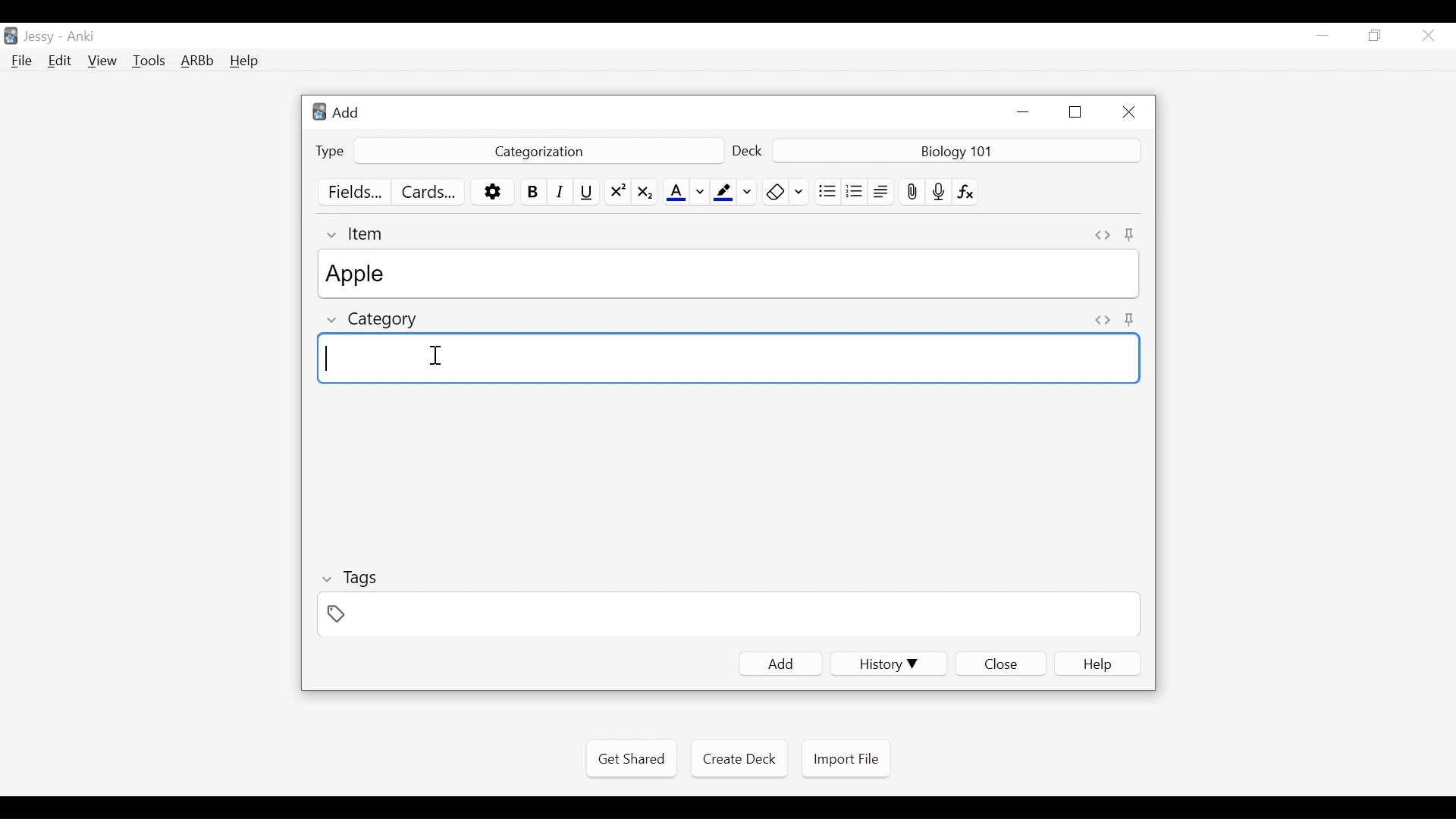 Image resolution: width=1456 pixels, height=819 pixels. Describe the element at coordinates (58, 62) in the screenshot. I see `Edit` at that location.